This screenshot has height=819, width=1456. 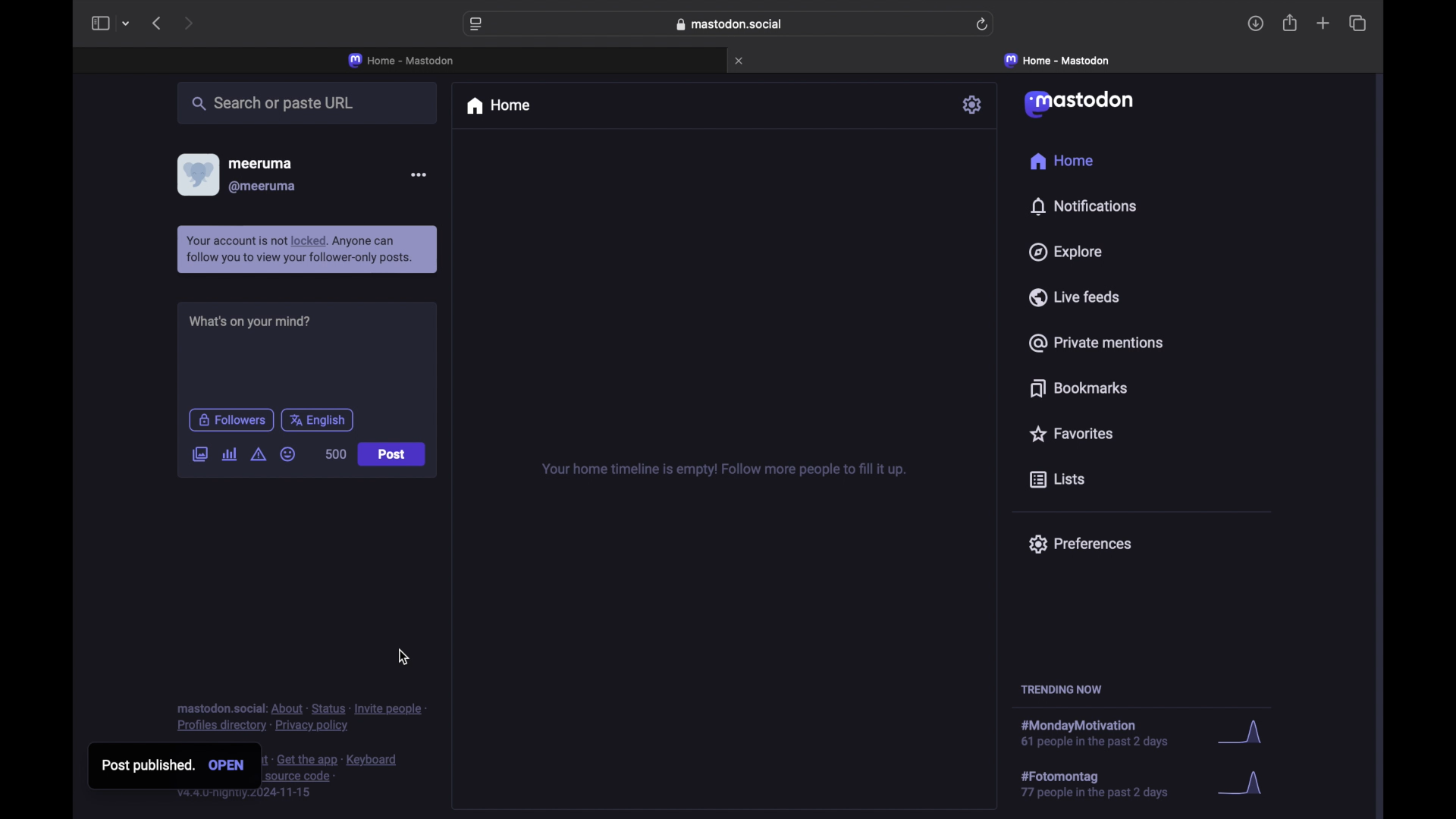 I want to click on footnote, so click(x=300, y=717).